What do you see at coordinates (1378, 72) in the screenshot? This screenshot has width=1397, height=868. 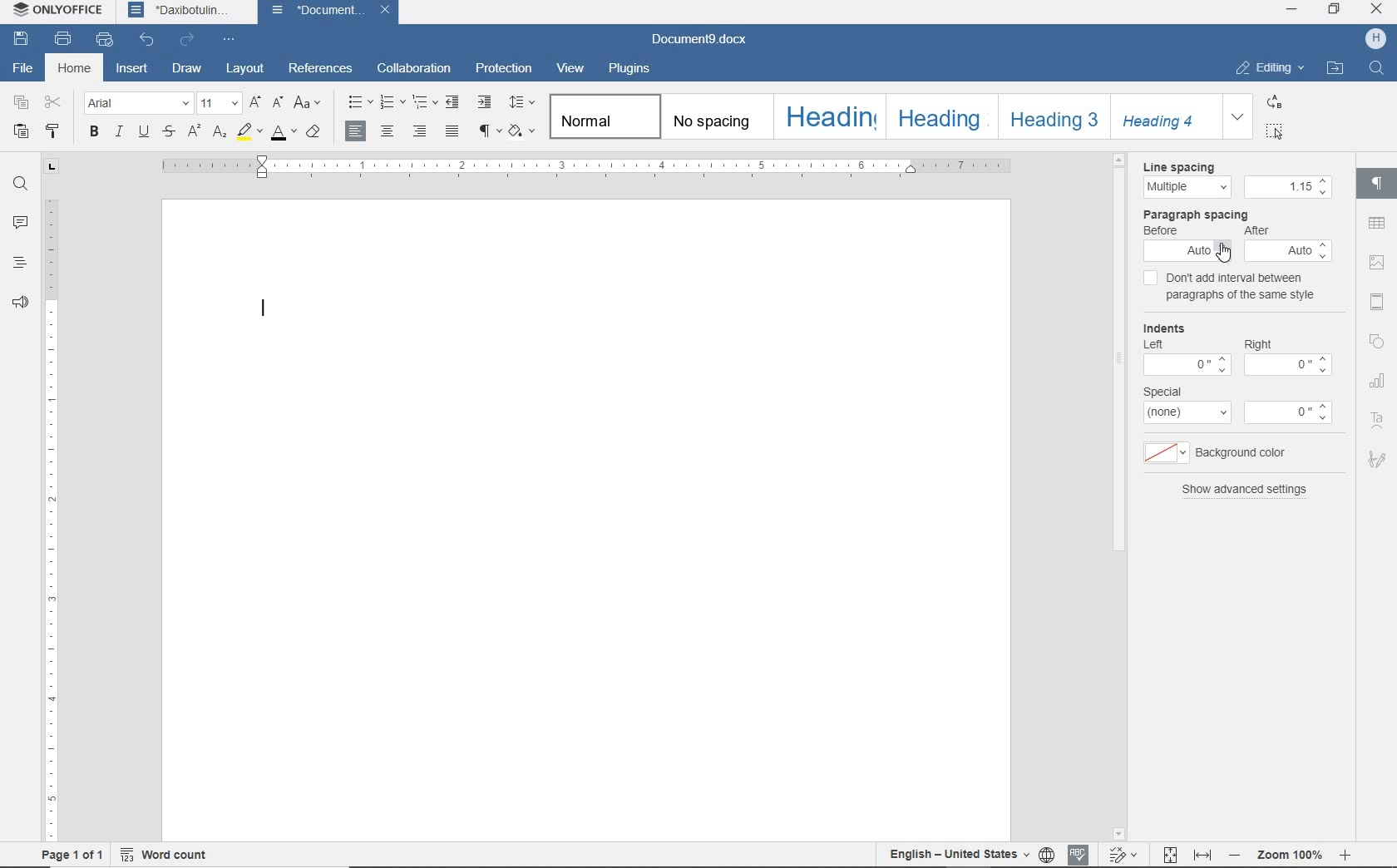 I see `FIND` at bounding box center [1378, 72].